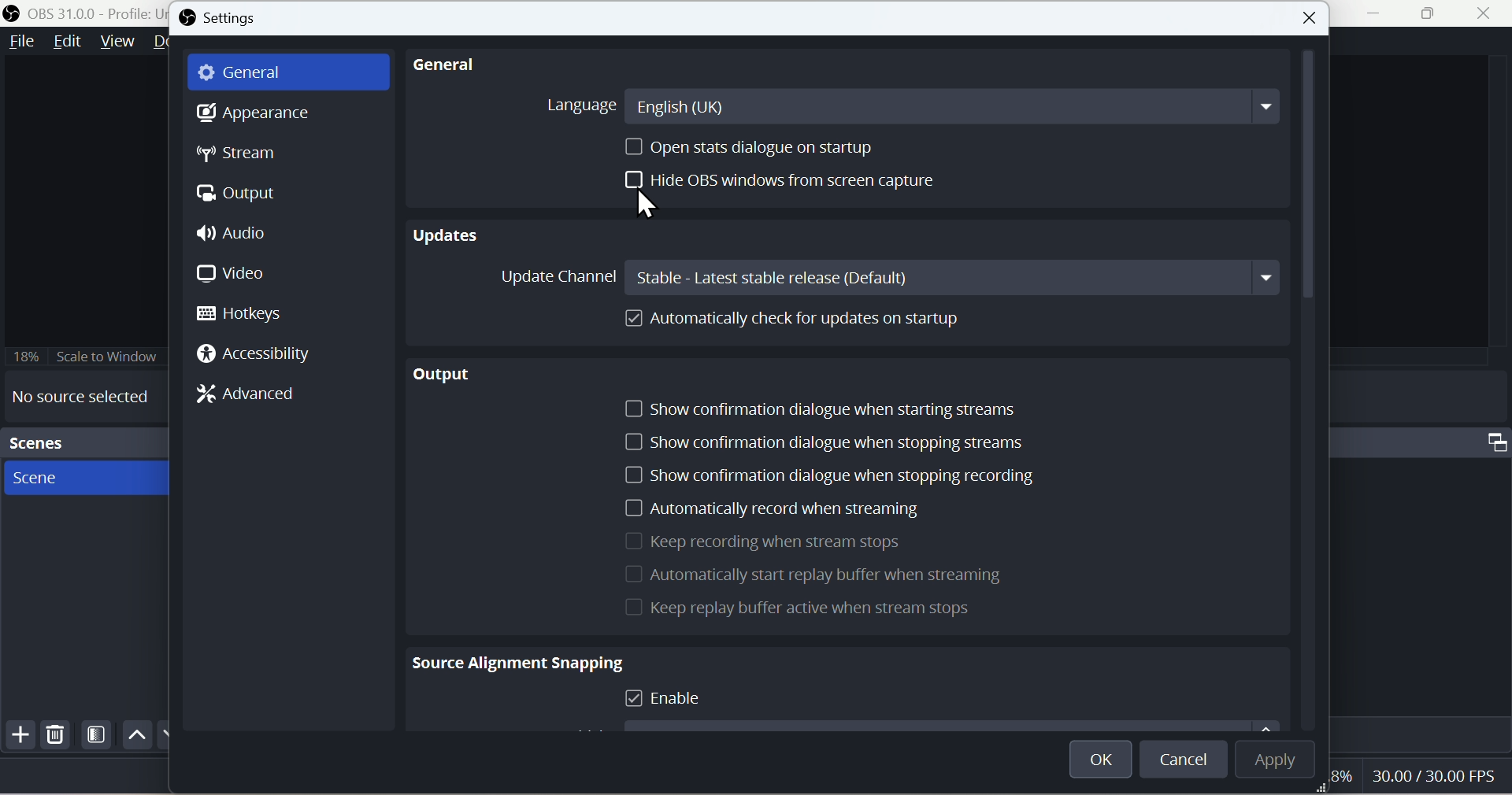  I want to click on 18% Scale to Window, so click(112, 355).